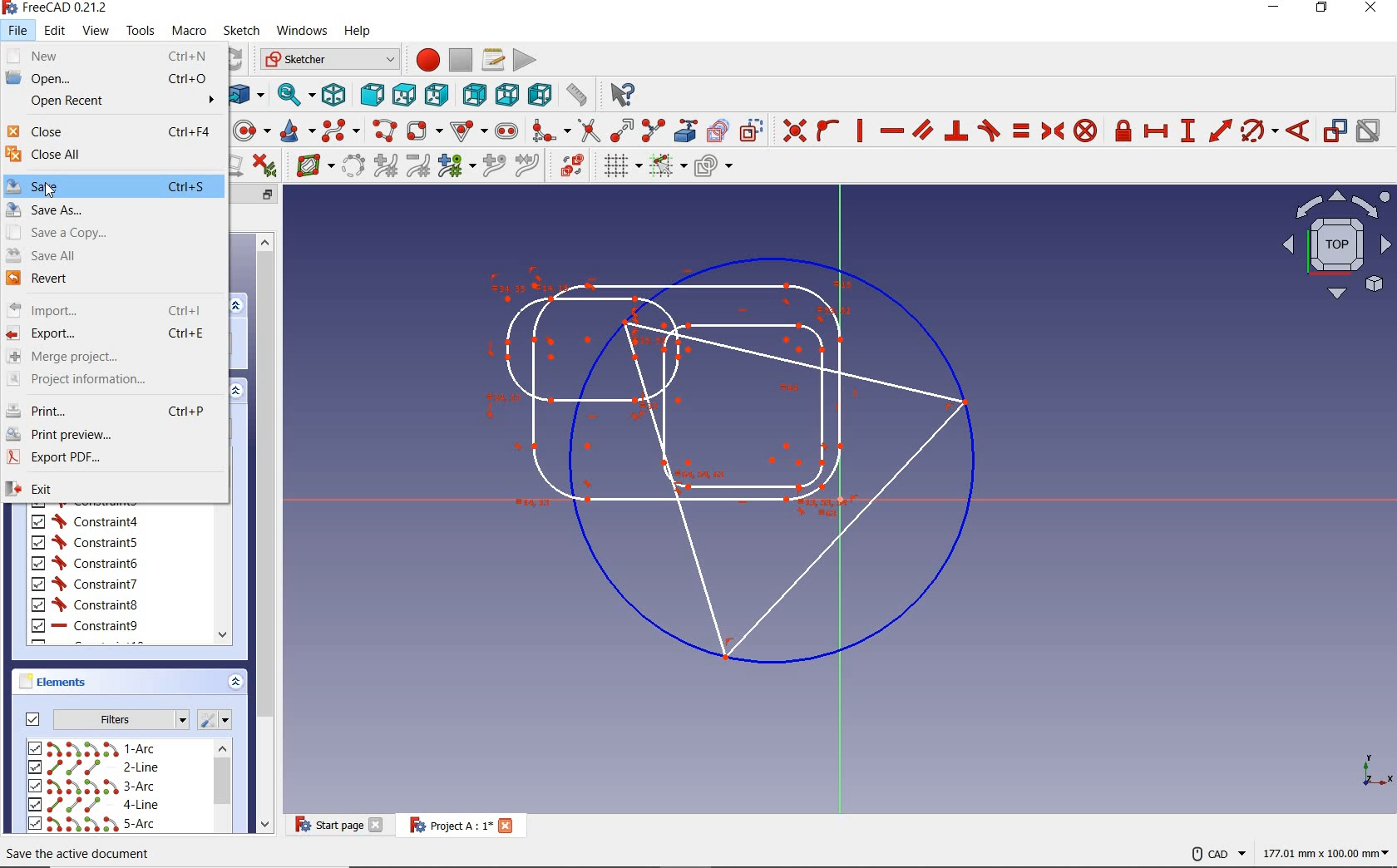 This screenshot has height=868, width=1397. I want to click on constrain vertical distance, so click(1187, 133).